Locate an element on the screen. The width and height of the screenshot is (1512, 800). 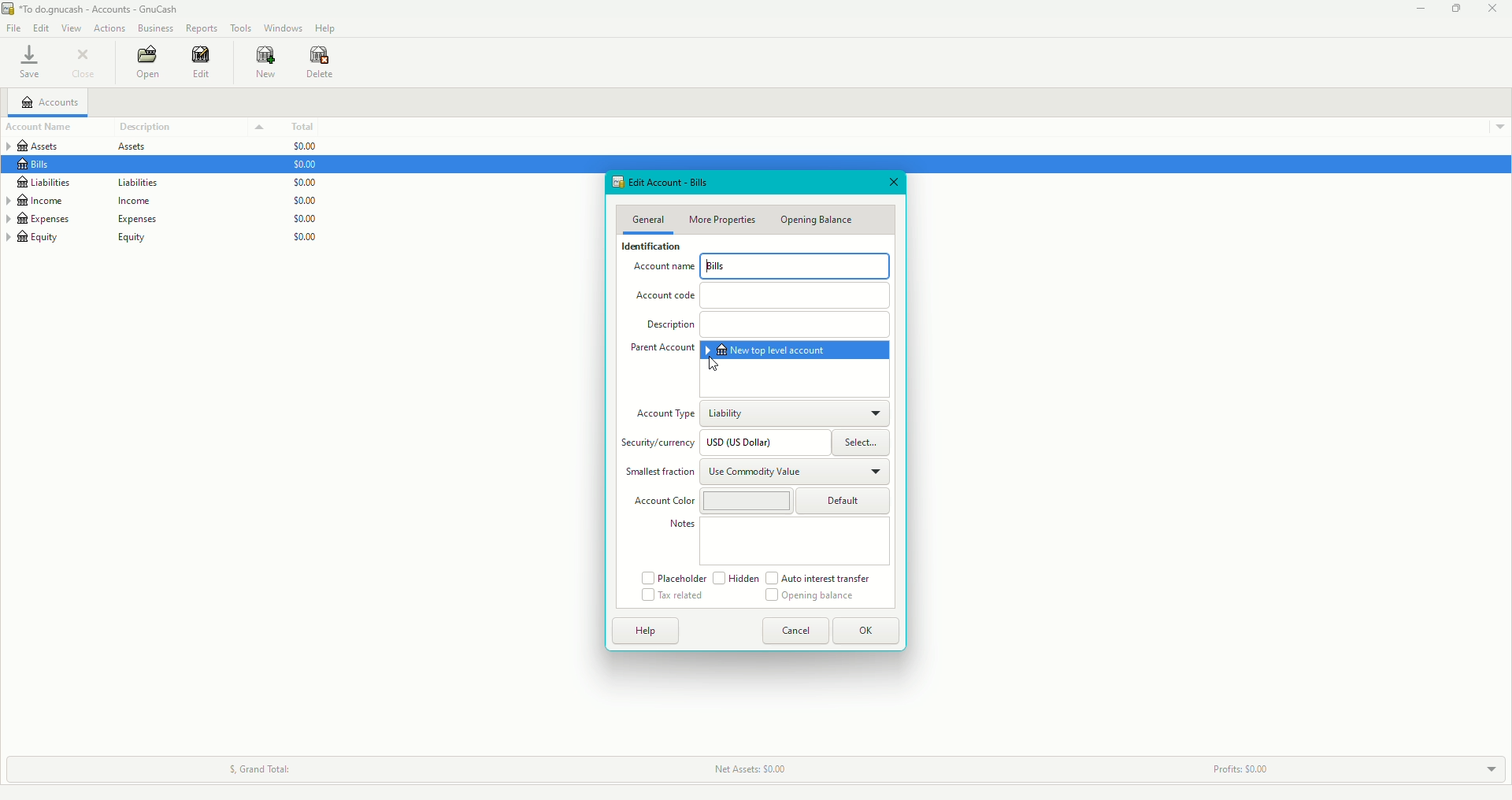
Auto interest transfer is located at coordinates (823, 578).